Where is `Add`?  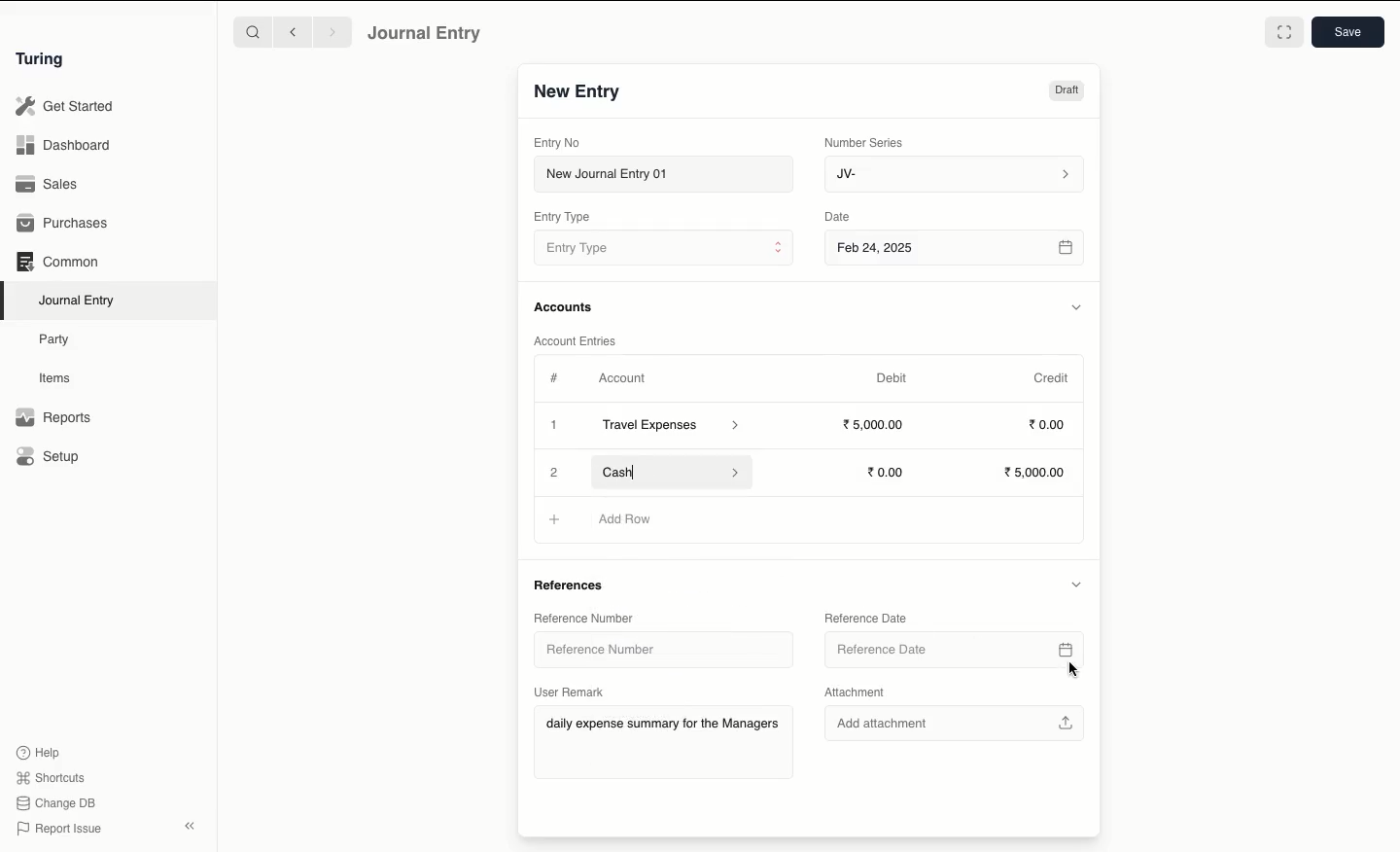
Add is located at coordinates (553, 470).